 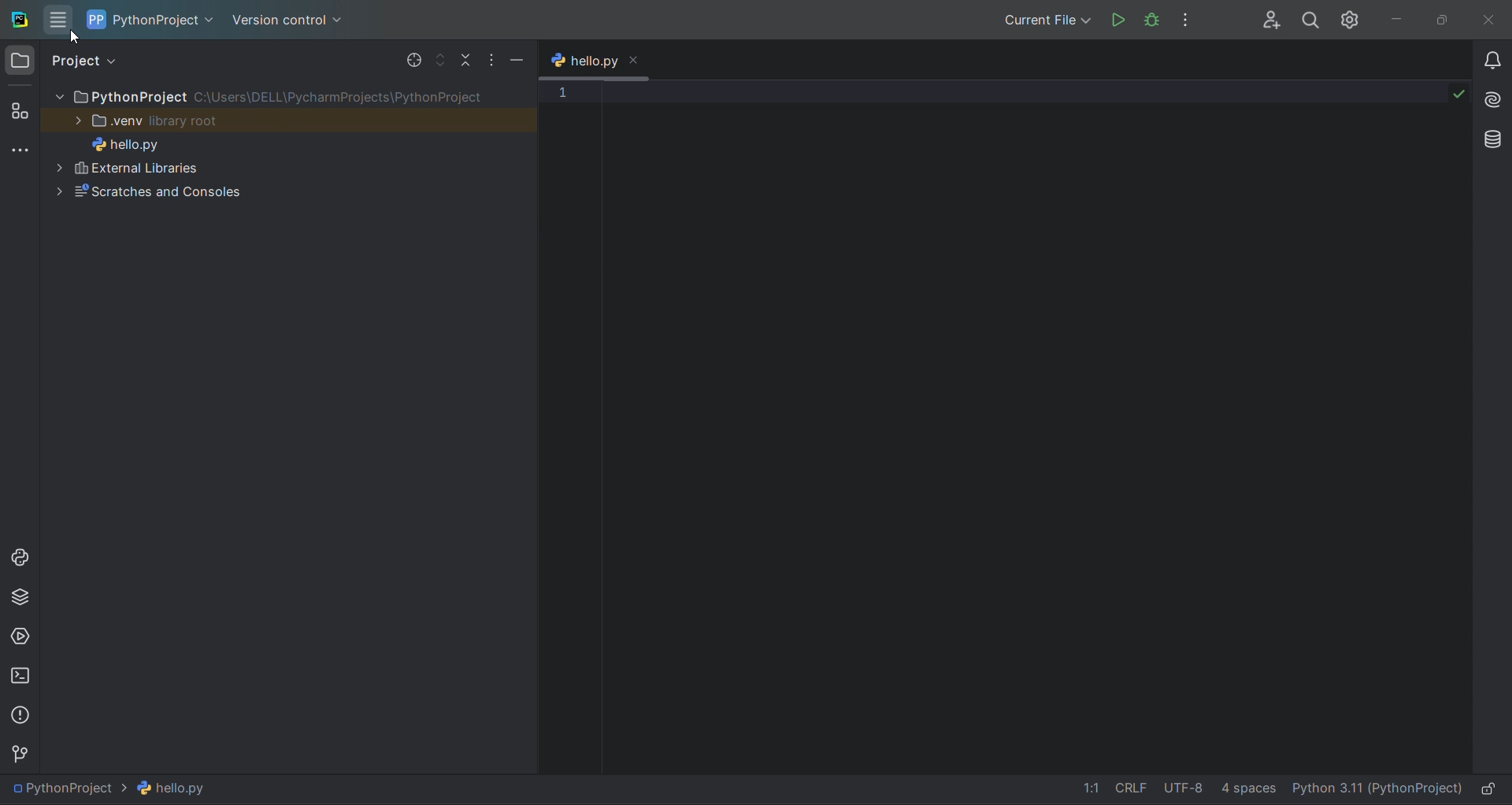 I want to click on project window, so click(x=20, y=58).